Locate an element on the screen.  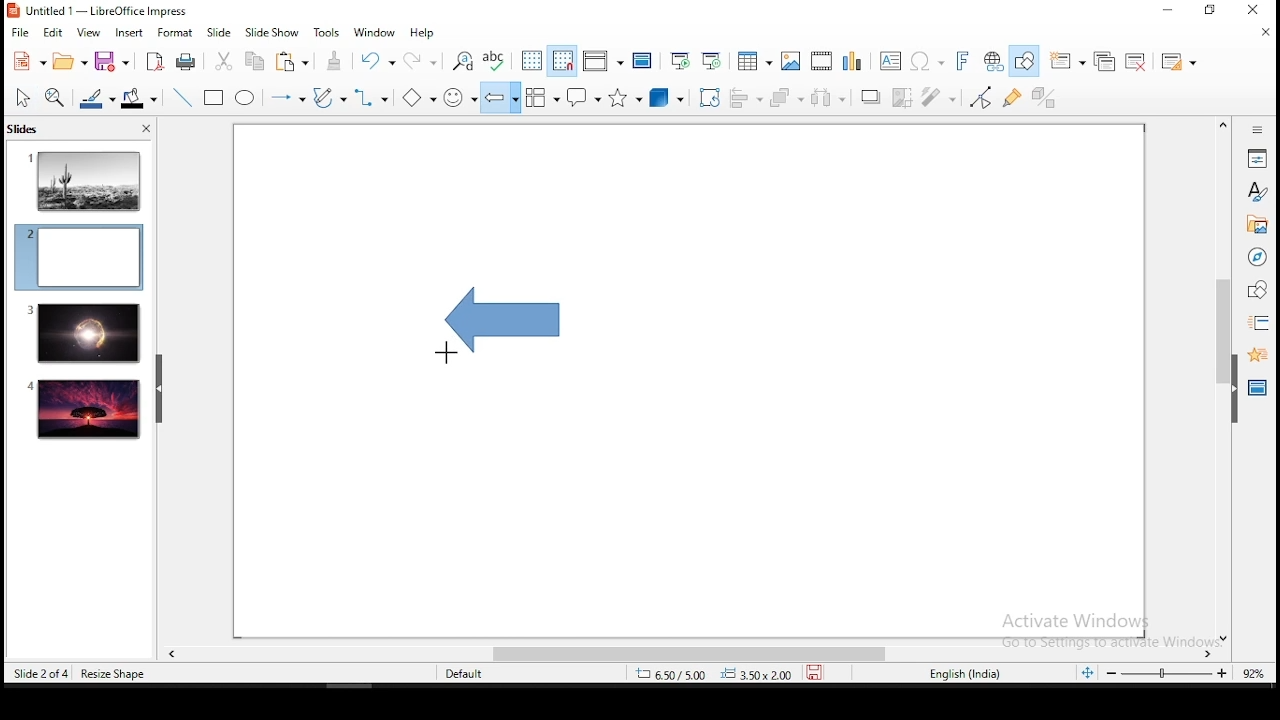
copy is located at coordinates (252, 61).